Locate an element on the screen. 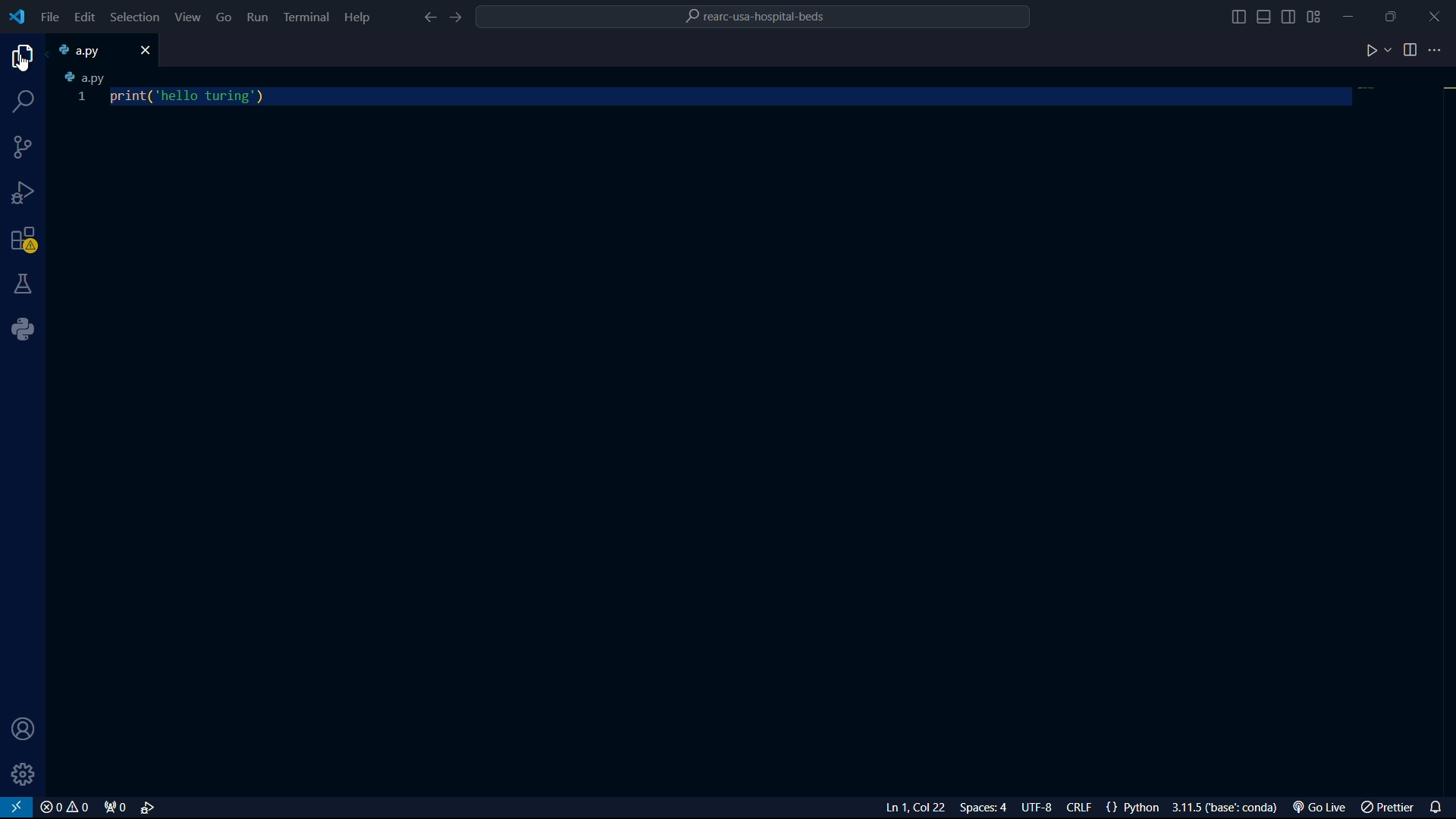 The height and width of the screenshot is (819, 1456). maximize or restore is located at coordinates (1390, 14).